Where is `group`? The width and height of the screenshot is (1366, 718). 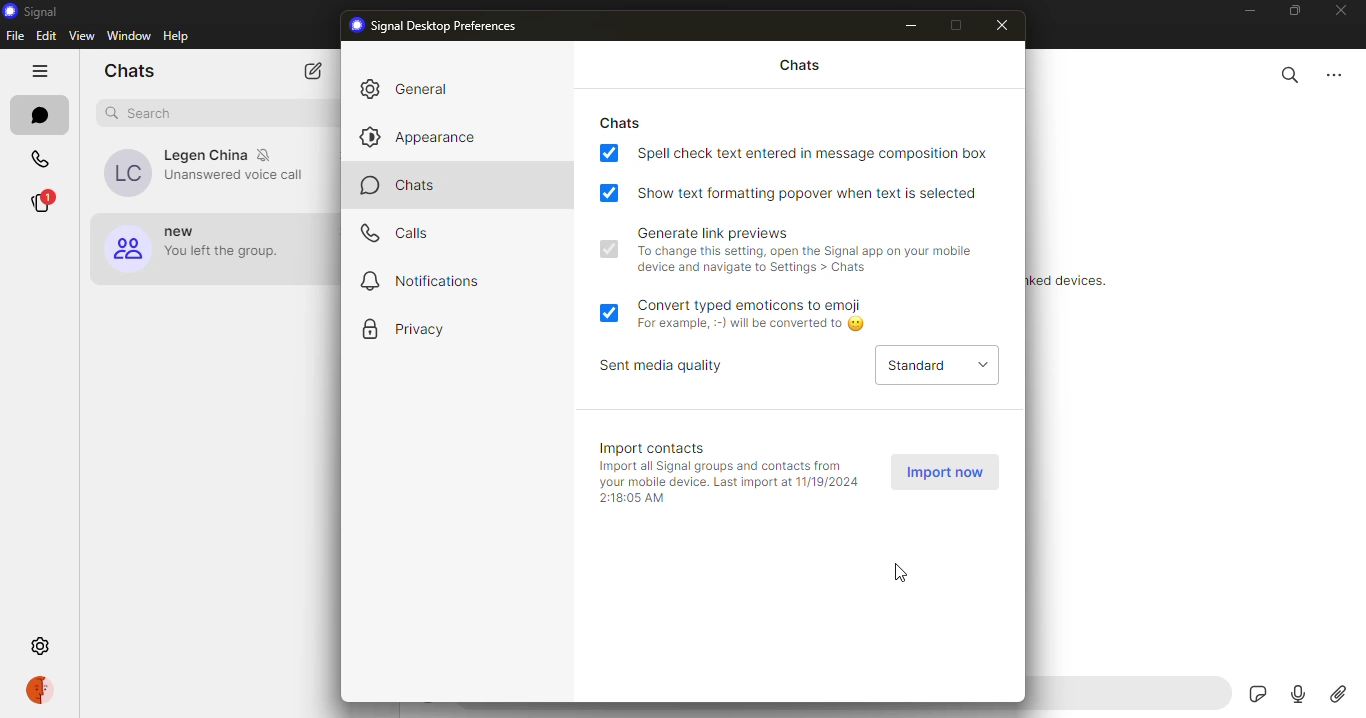
group is located at coordinates (203, 251).